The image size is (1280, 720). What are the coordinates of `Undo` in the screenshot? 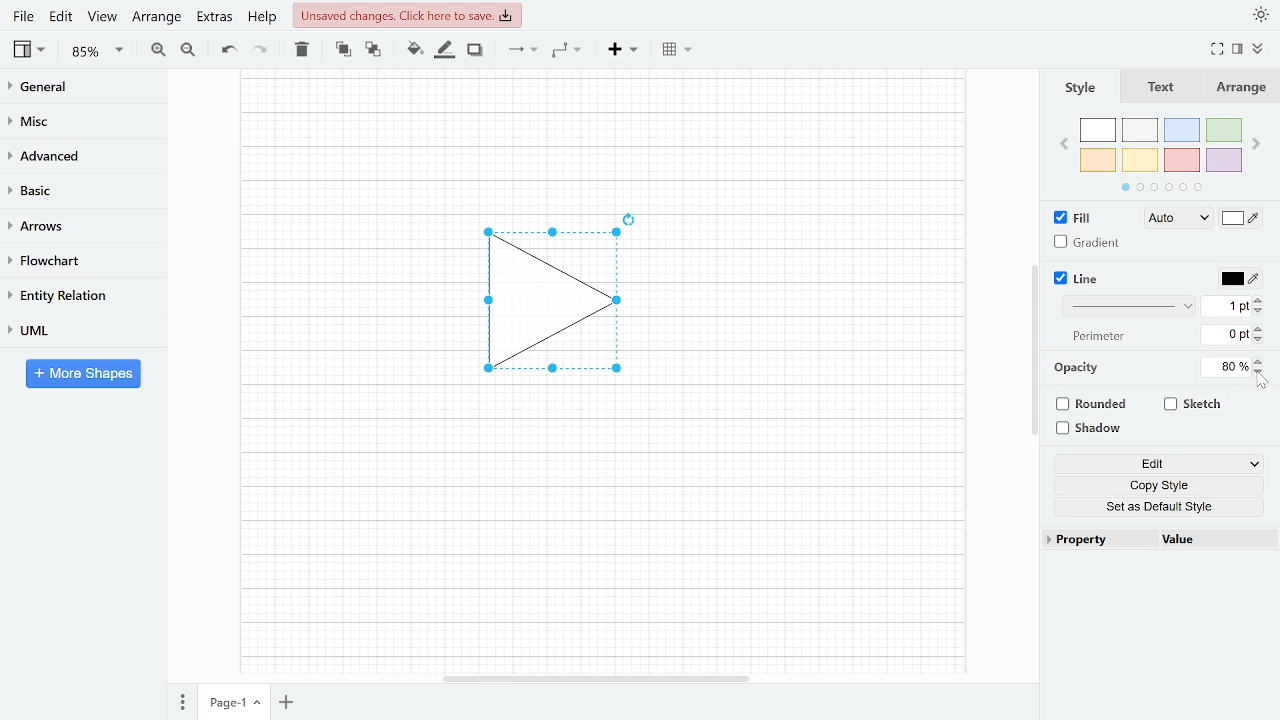 It's located at (228, 50).